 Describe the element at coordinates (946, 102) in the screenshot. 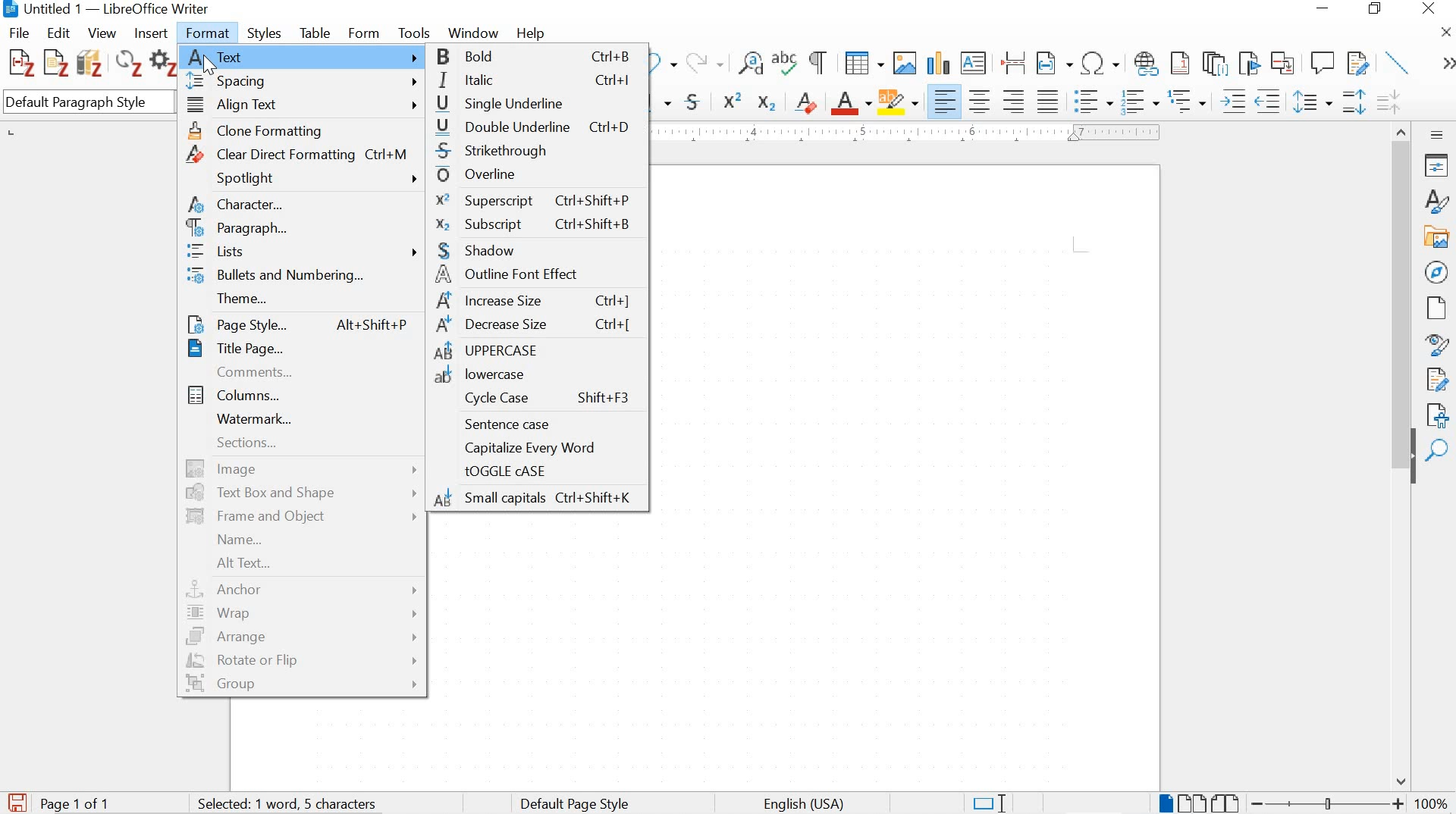

I see `align left` at that location.